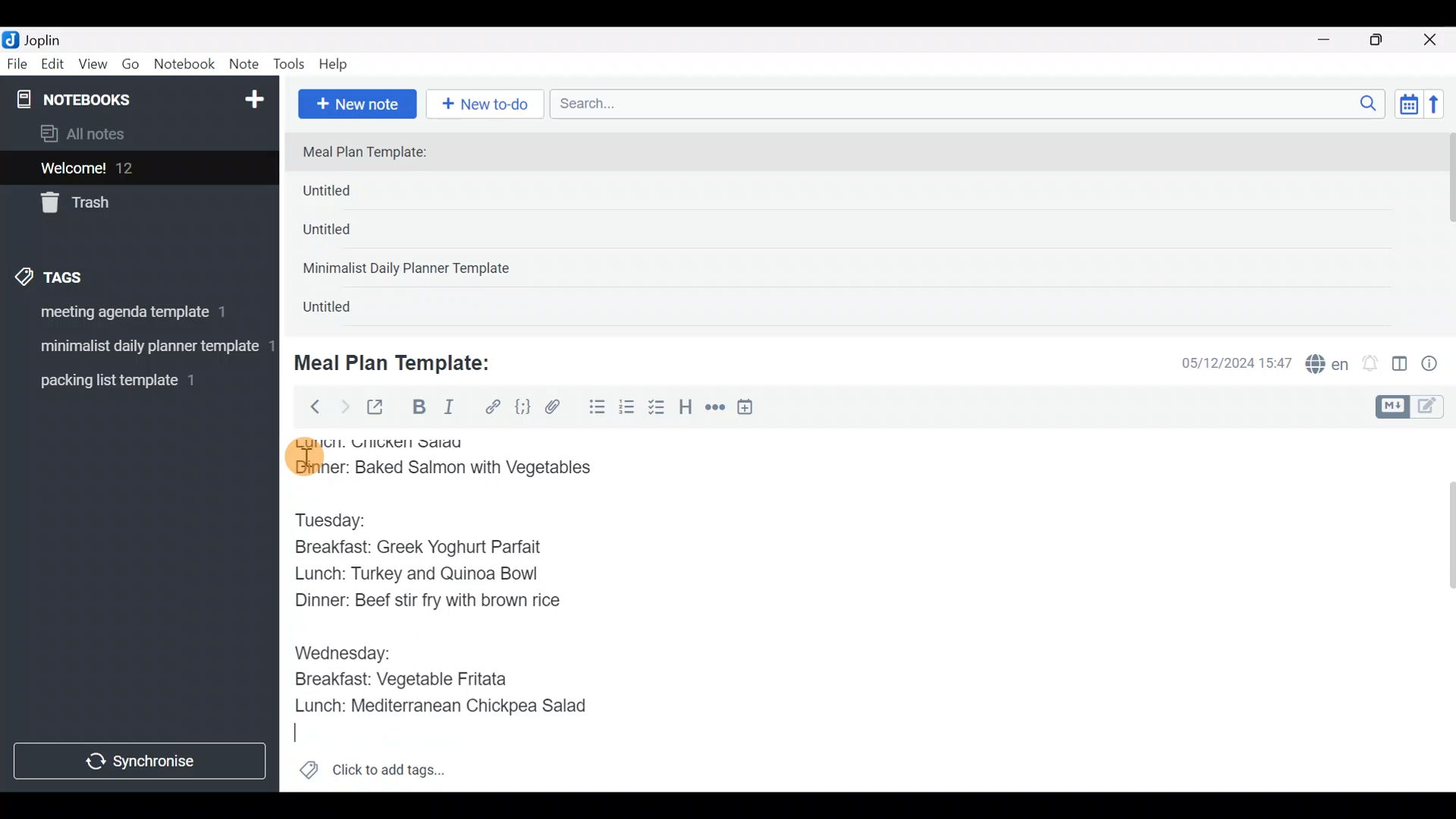 The height and width of the screenshot is (819, 1456). What do you see at coordinates (53, 67) in the screenshot?
I see `Edit` at bounding box center [53, 67].